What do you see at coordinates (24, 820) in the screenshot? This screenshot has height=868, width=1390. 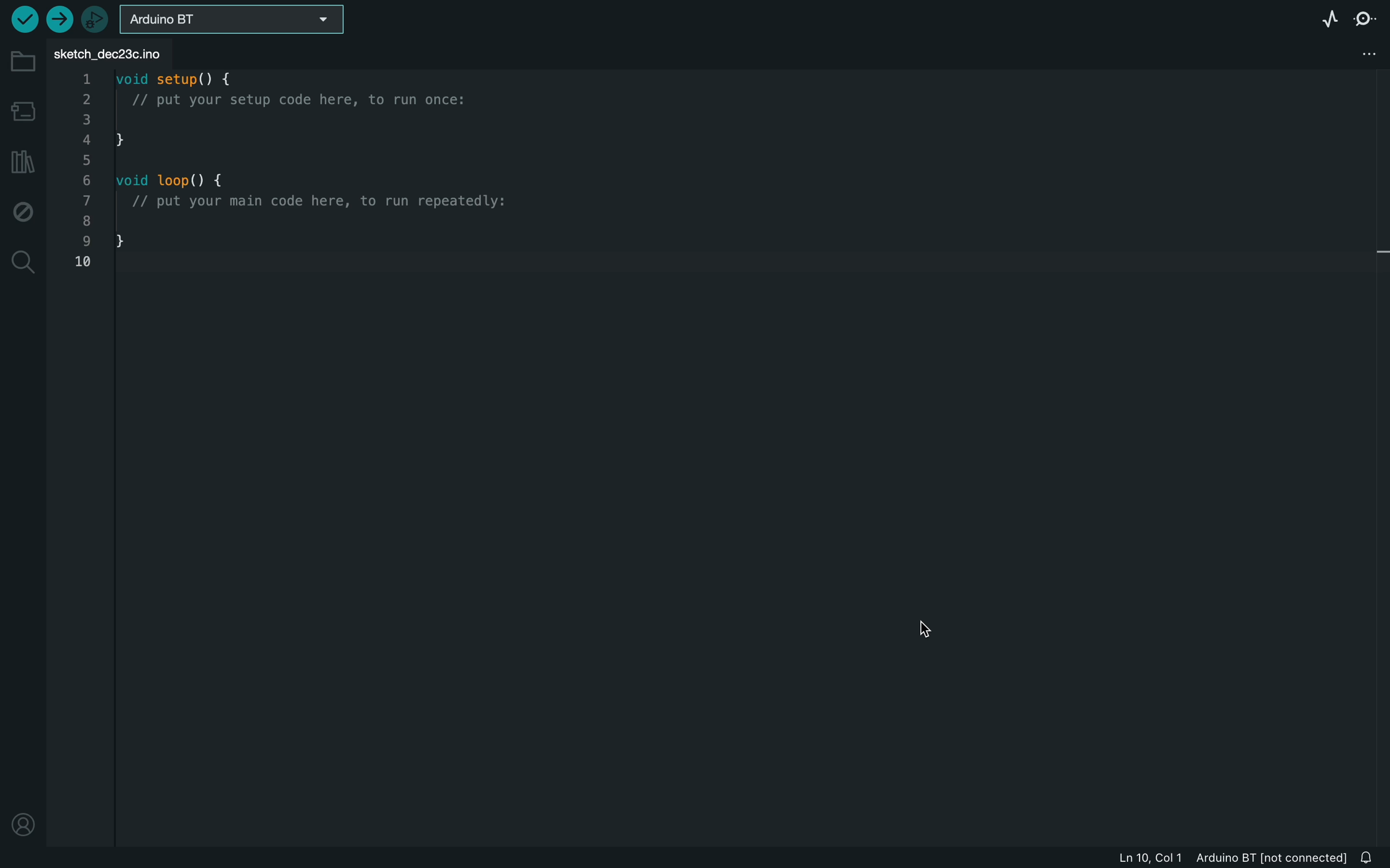 I see `profile` at bounding box center [24, 820].